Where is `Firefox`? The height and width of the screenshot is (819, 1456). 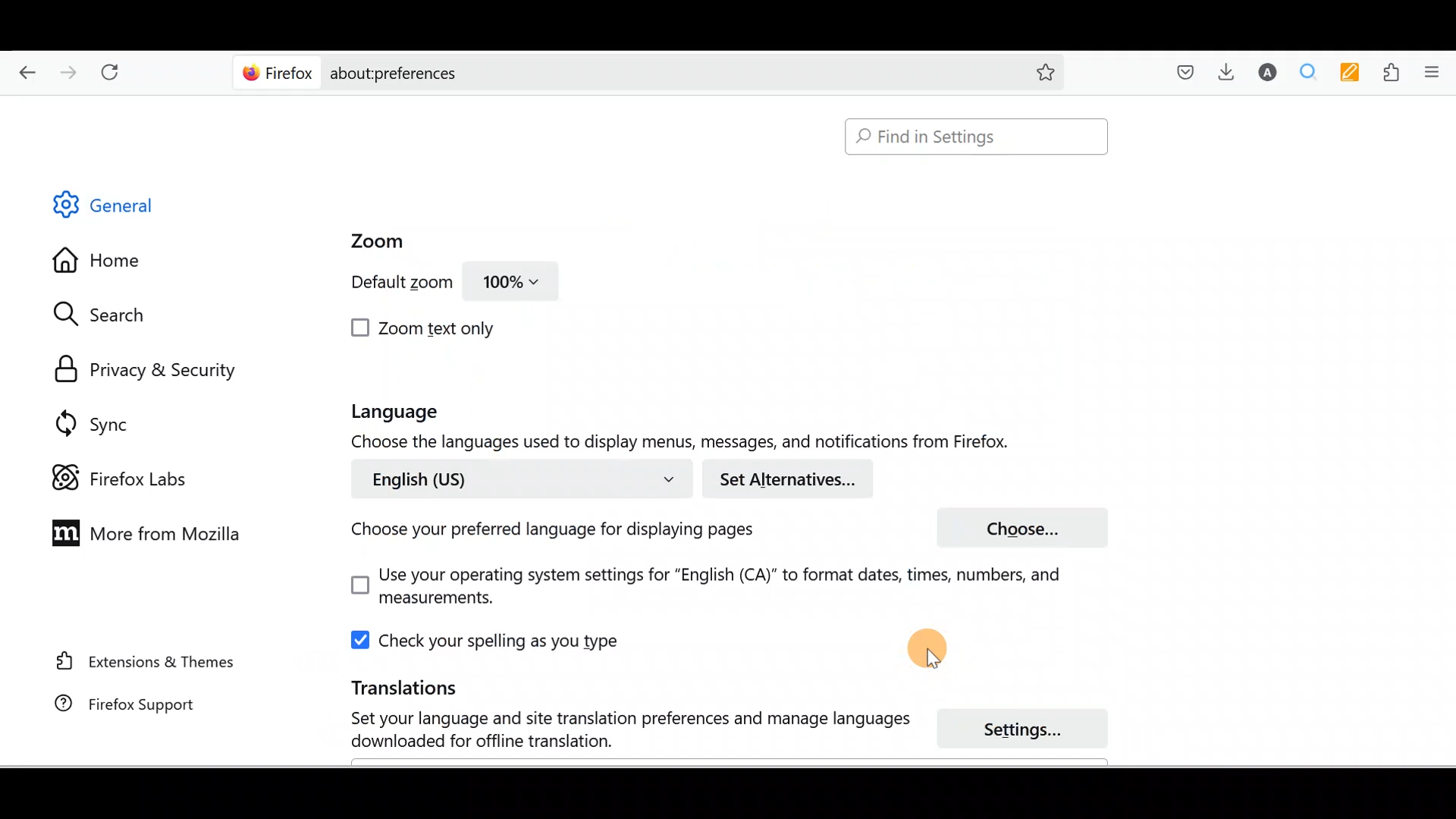 Firefox is located at coordinates (278, 72).